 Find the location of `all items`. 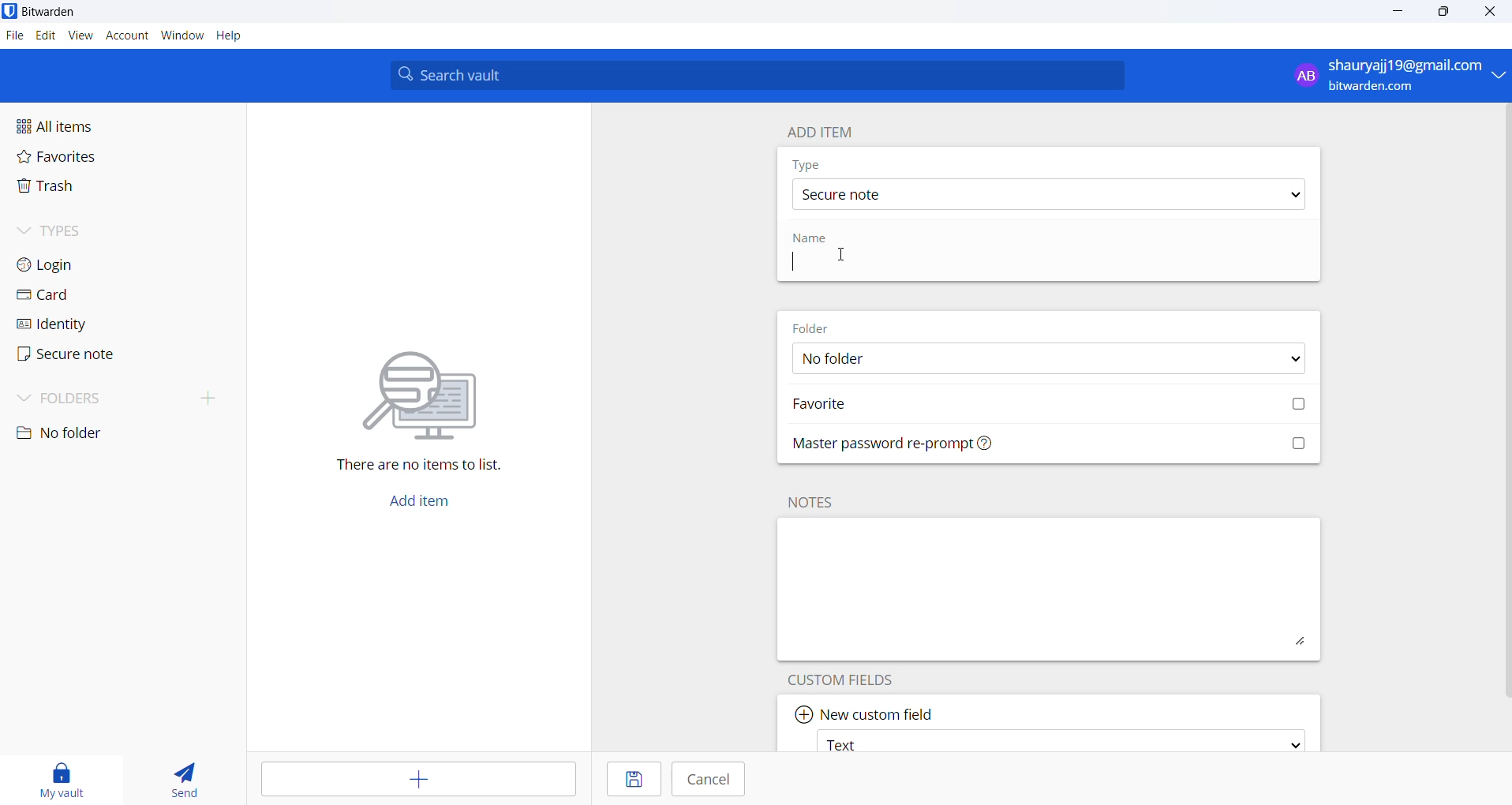

all items is located at coordinates (88, 127).